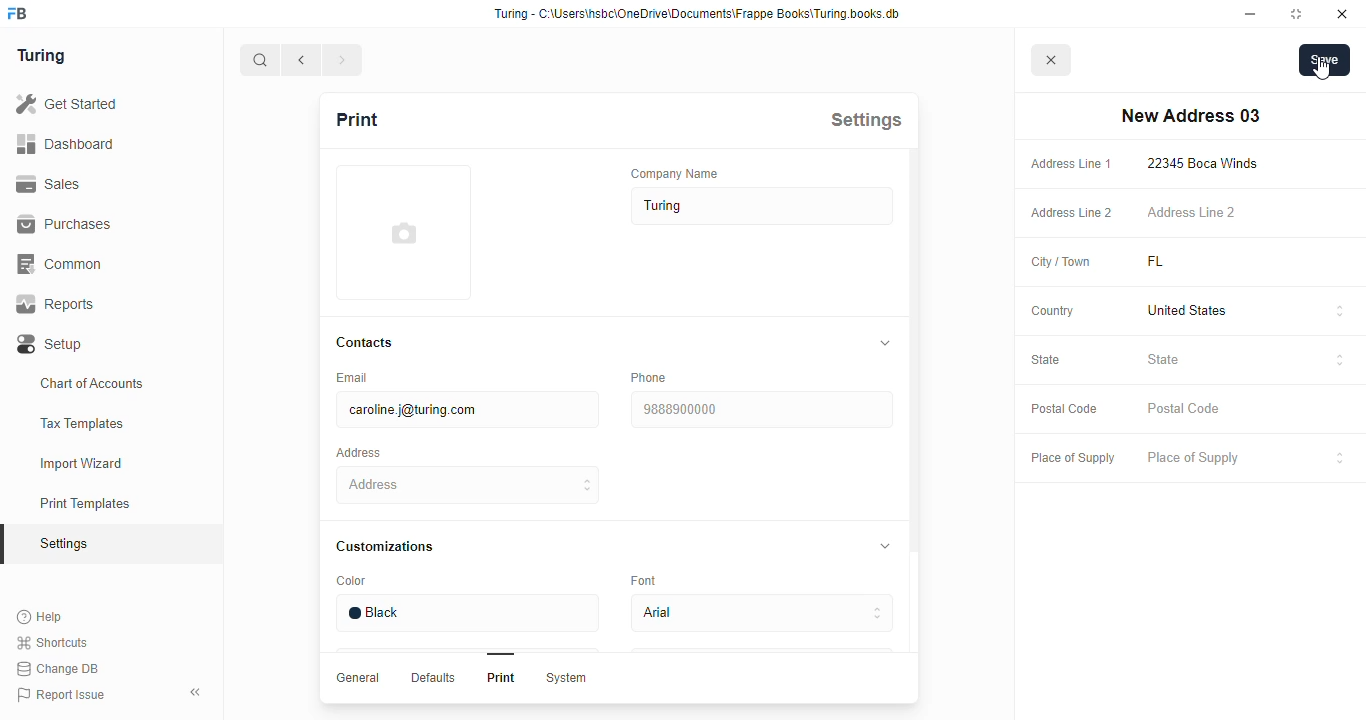 This screenshot has height=720, width=1366. What do you see at coordinates (866, 119) in the screenshot?
I see `settings` at bounding box center [866, 119].